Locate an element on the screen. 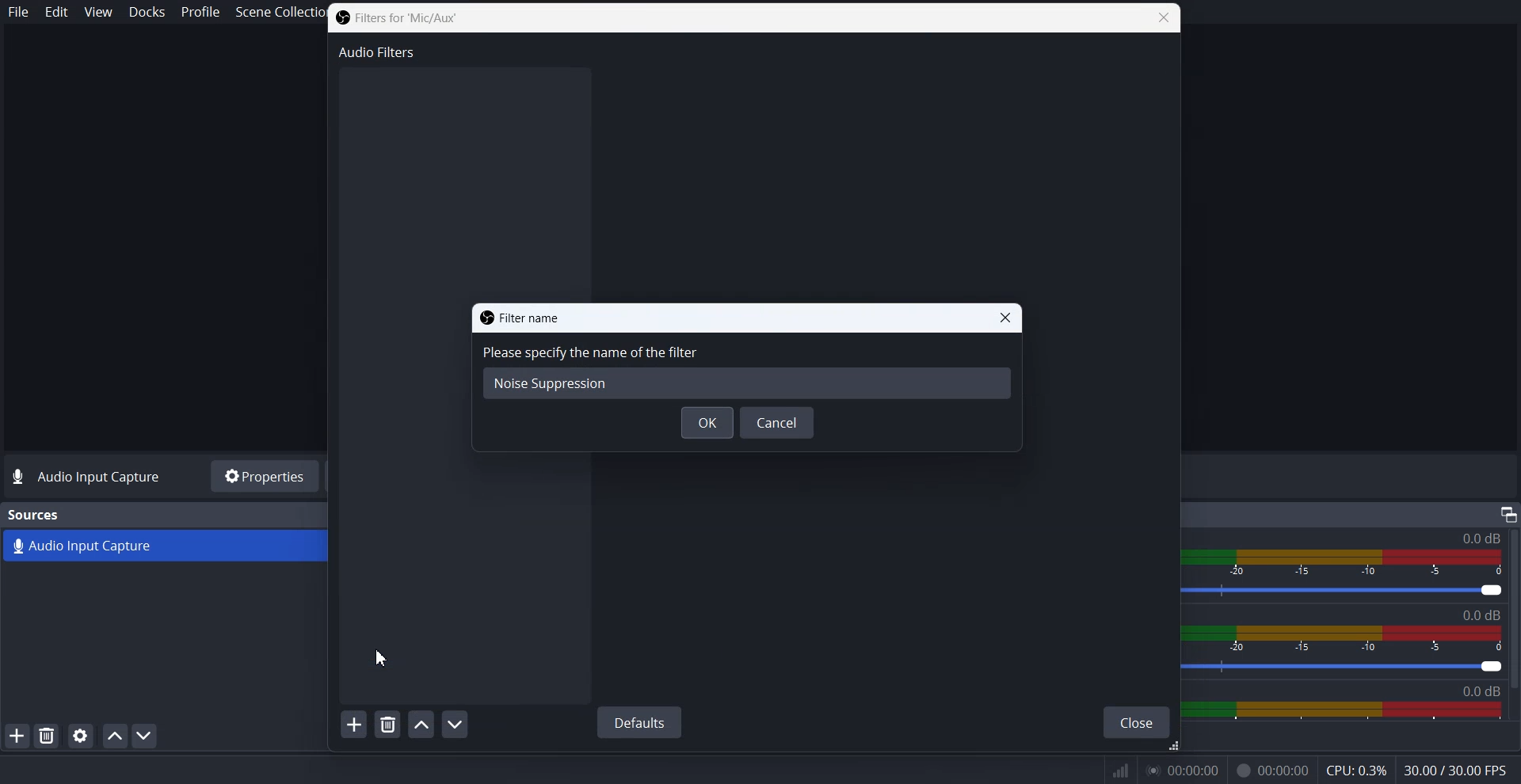 The width and height of the screenshot is (1521, 784). Edit is located at coordinates (57, 12).